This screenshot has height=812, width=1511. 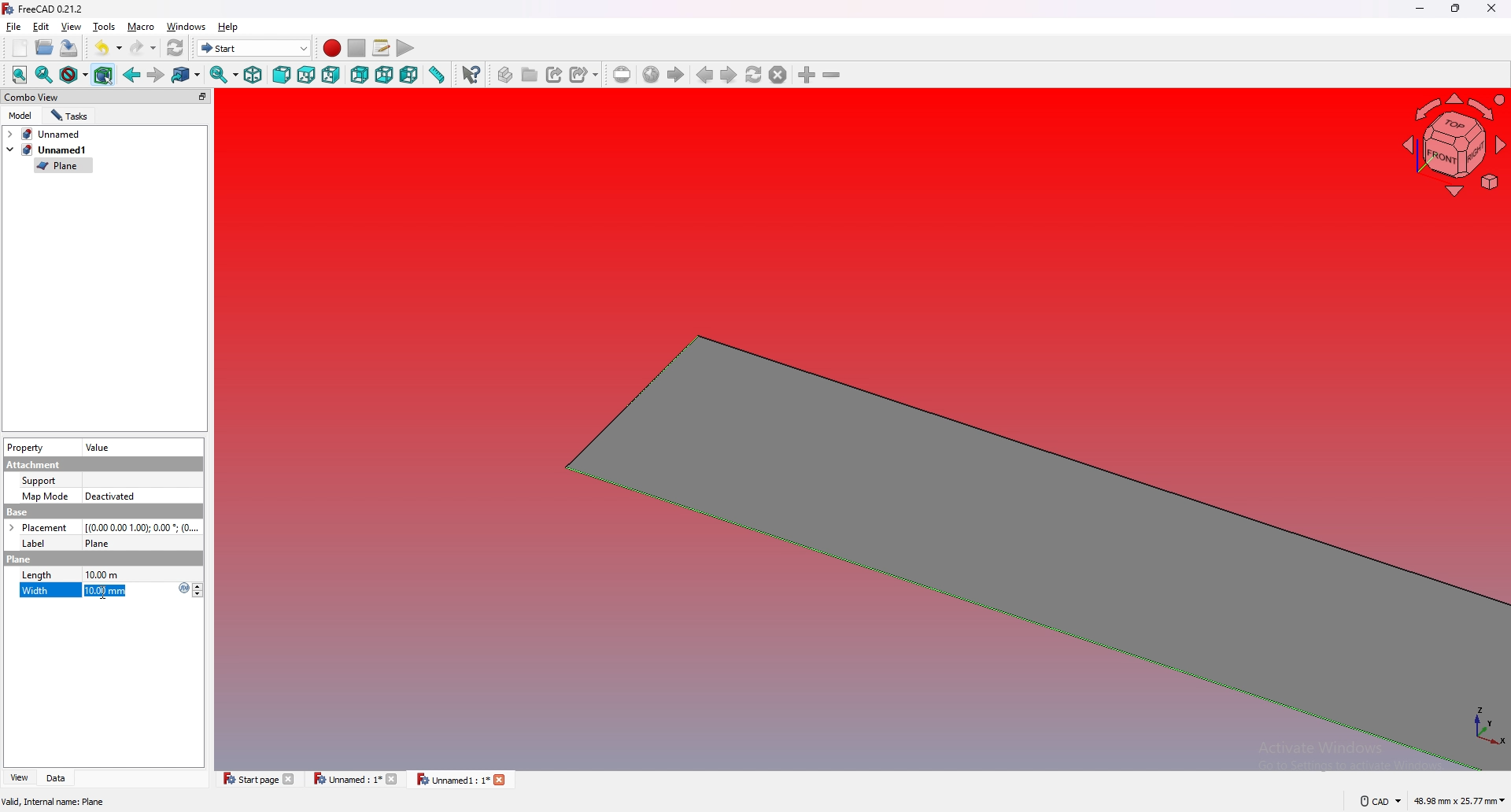 I want to click on start page, so click(x=260, y=778).